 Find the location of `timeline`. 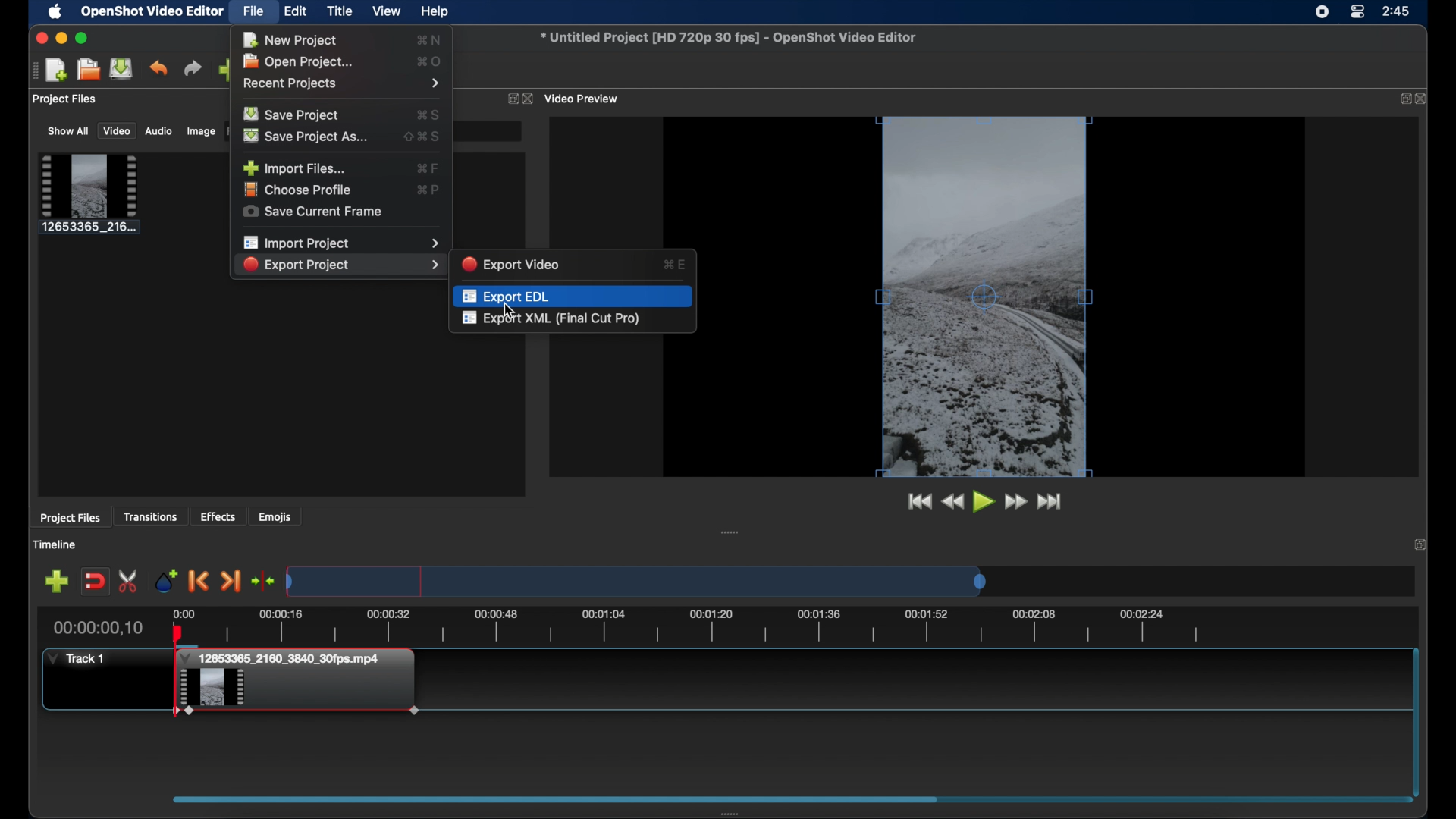

timeline is located at coordinates (689, 626).